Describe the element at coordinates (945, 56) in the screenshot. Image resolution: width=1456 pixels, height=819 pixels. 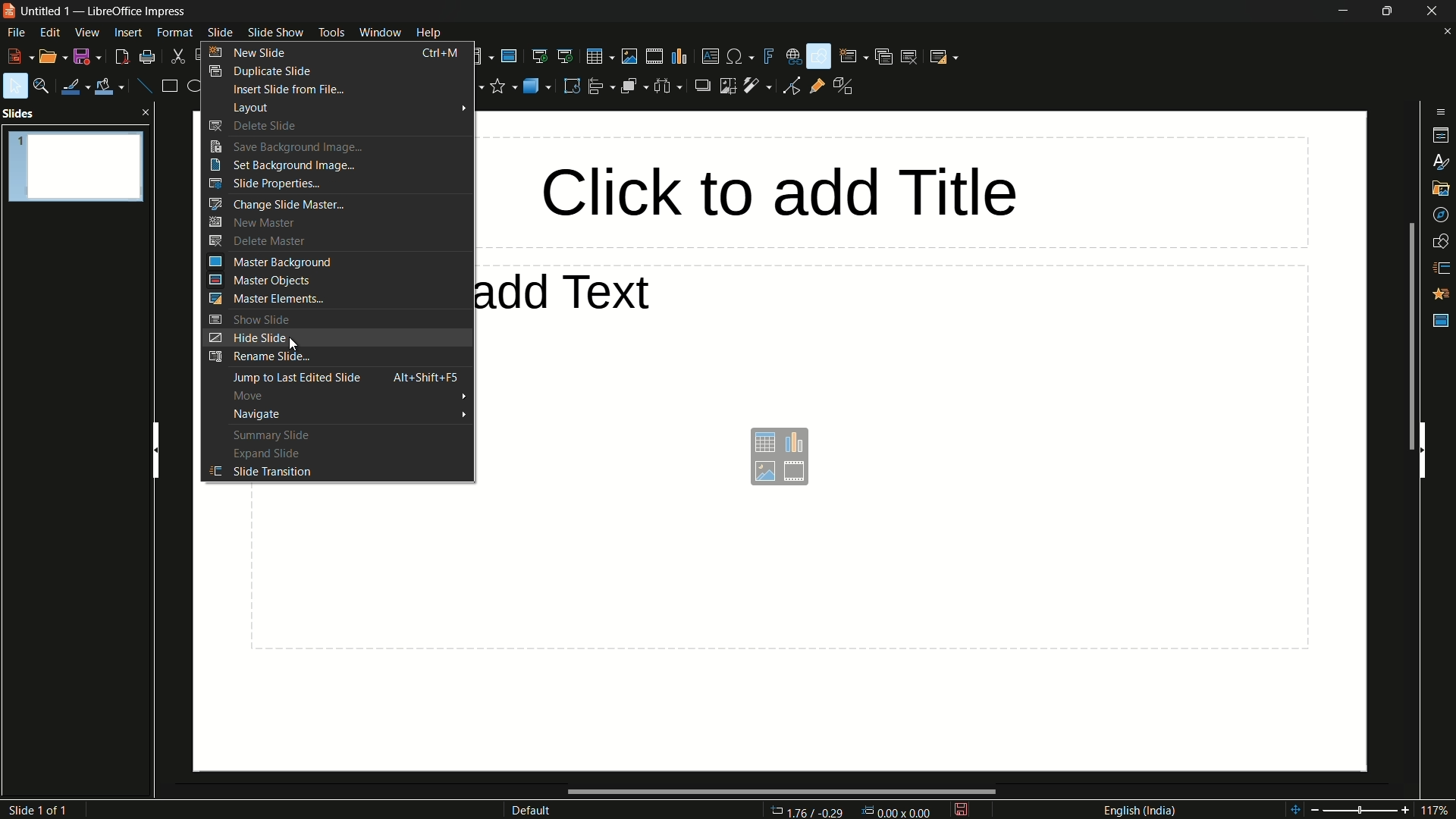
I see `slide layout` at that location.